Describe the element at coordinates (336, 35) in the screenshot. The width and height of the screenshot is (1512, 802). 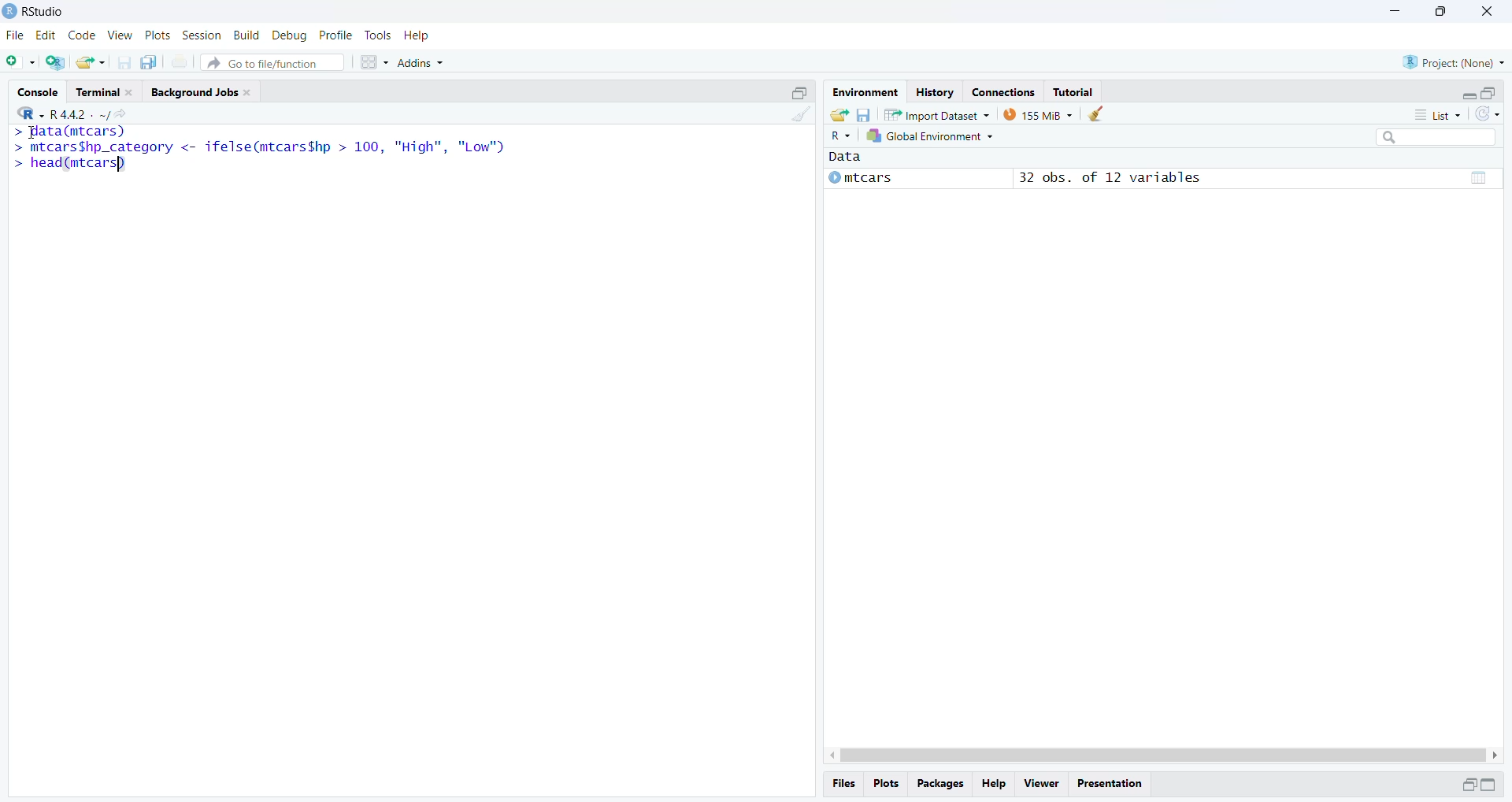
I see `Profile` at that location.